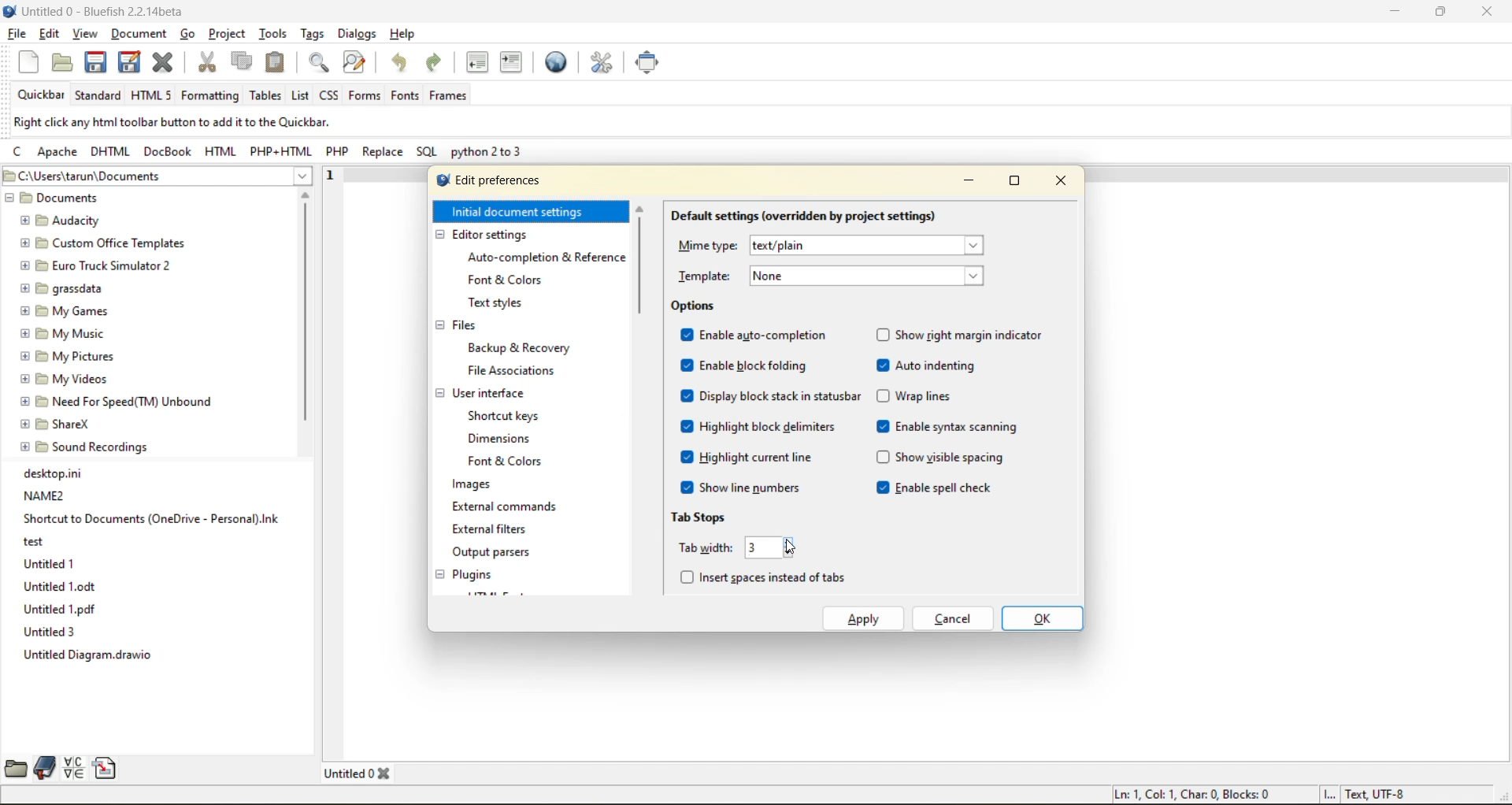 The height and width of the screenshot is (805, 1512). Describe the element at coordinates (791, 550) in the screenshot. I see `cursor` at that location.